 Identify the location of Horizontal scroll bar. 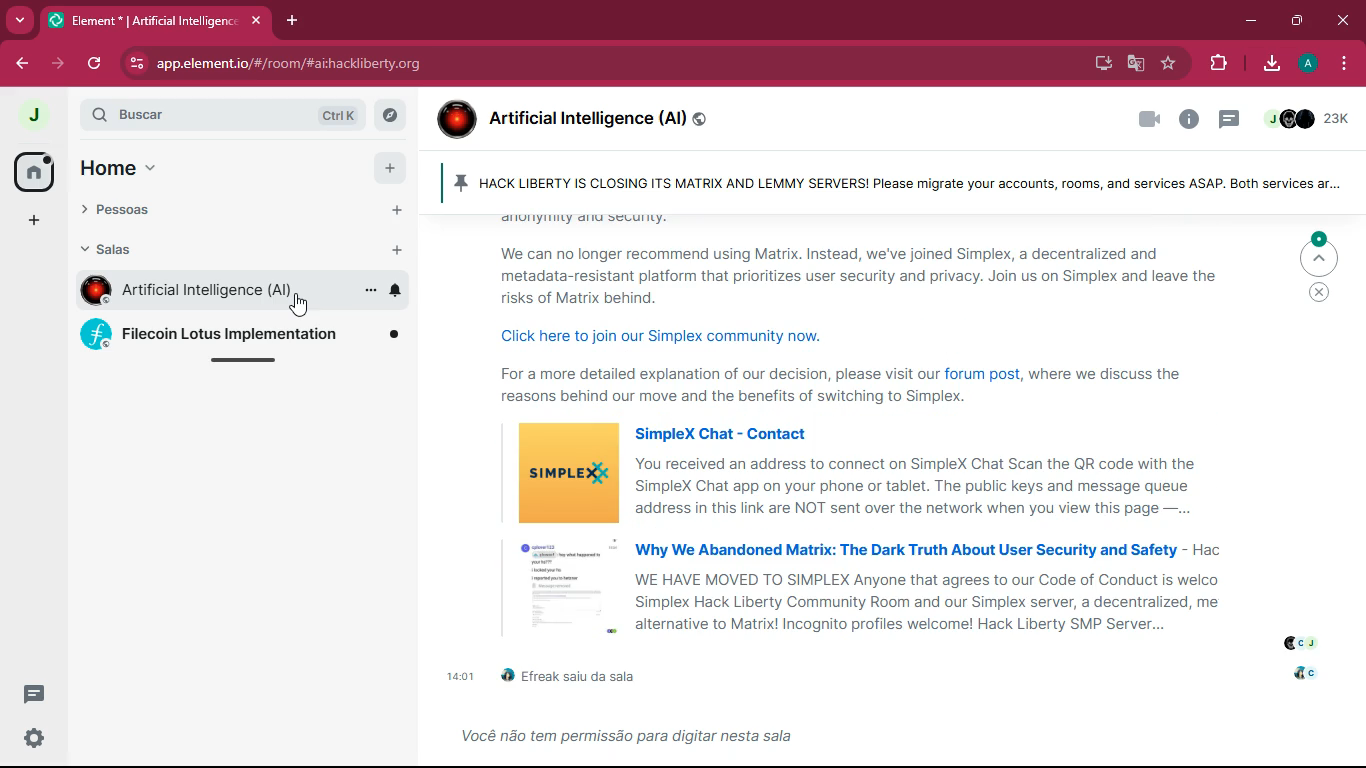
(250, 365).